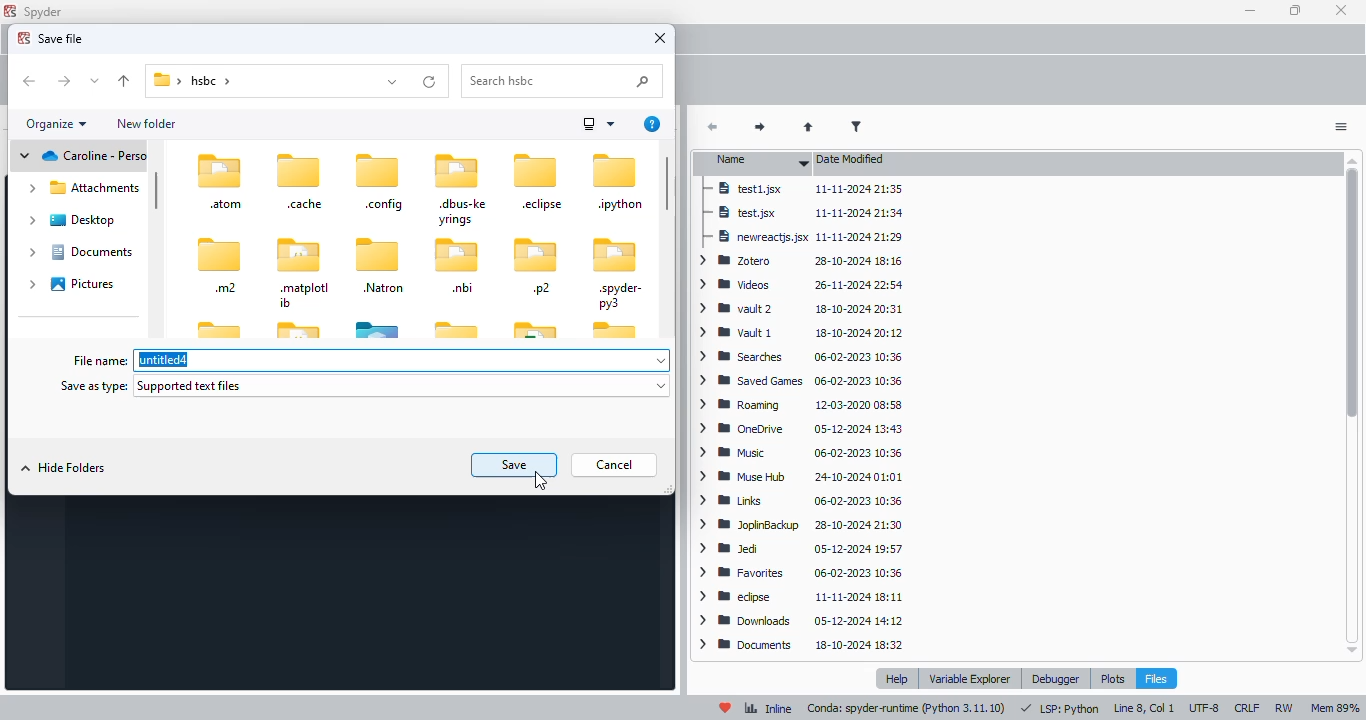  What do you see at coordinates (739, 598) in the screenshot?
I see `eclipse` at bounding box center [739, 598].